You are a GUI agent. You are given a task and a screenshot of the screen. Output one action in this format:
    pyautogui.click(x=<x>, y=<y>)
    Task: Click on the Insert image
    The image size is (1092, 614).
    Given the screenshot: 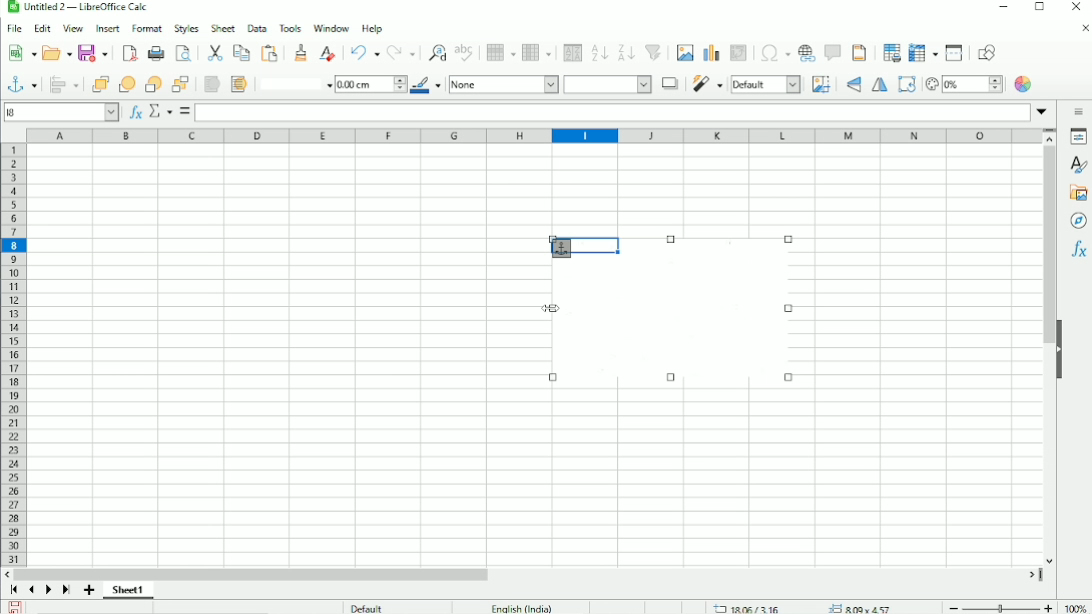 What is the action you would take?
    pyautogui.click(x=684, y=53)
    